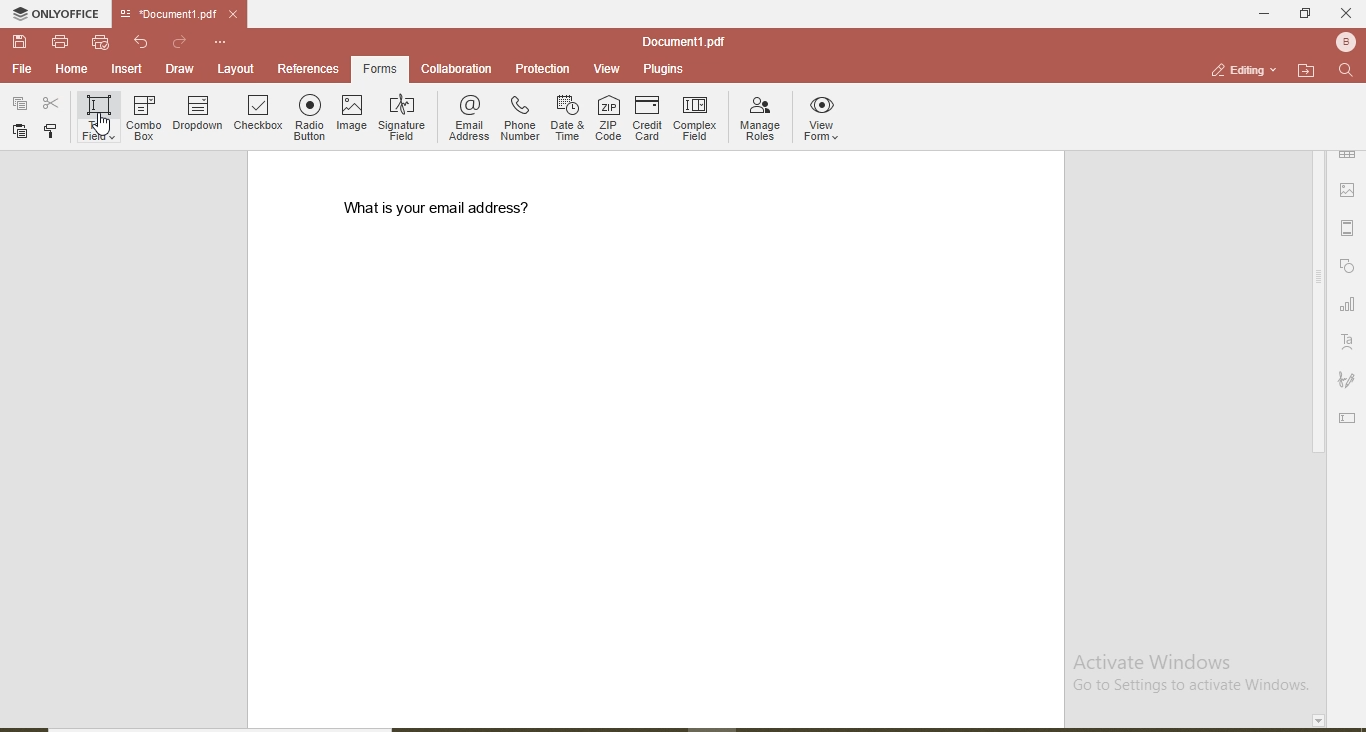  I want to click on home, so click(68, 69).